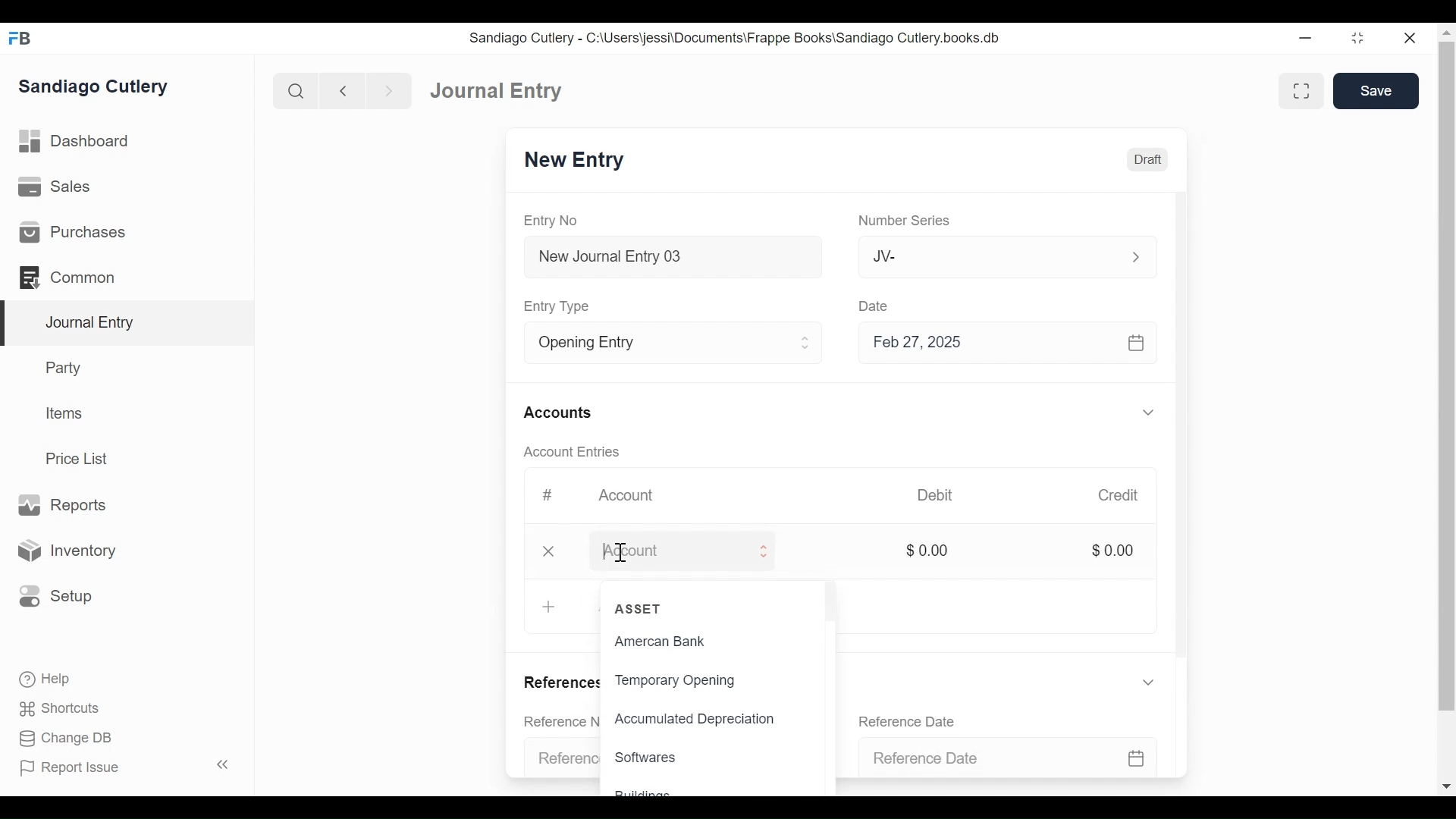 This screenshot has width=1456, height=819. Describe the element at coordinates (388, 91) in the screenshot. I see `Navigate forward` at that location.